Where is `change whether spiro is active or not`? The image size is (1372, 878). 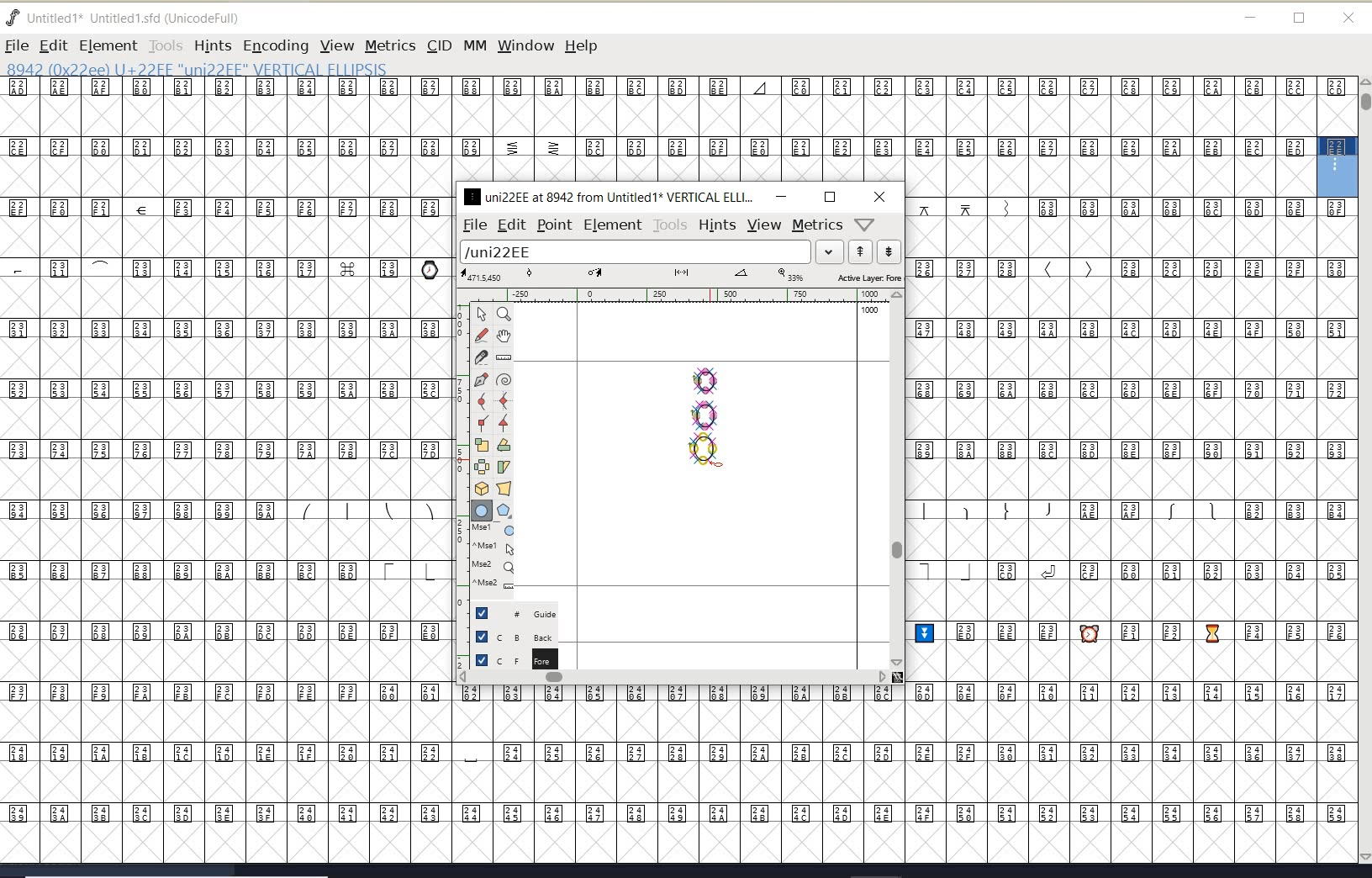
change whether spiro is active or not is located at coordinates (504, 382).